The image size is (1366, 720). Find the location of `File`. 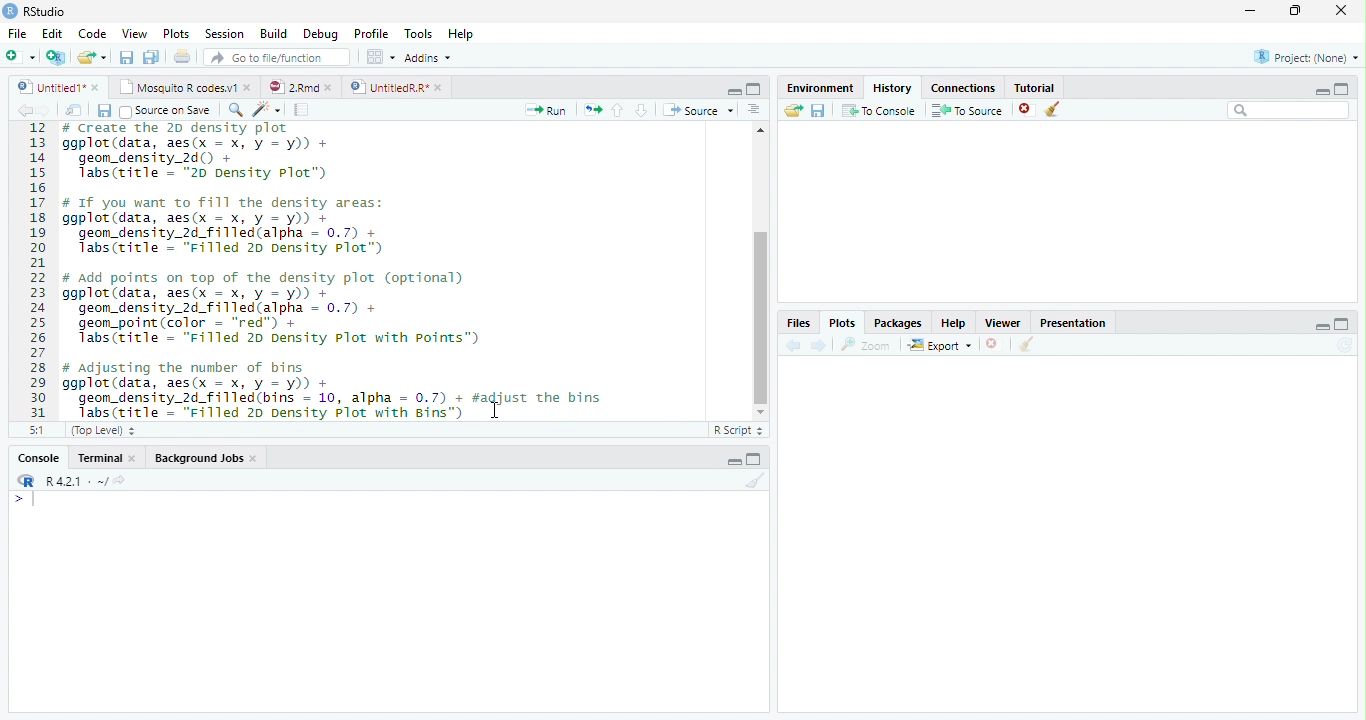

File is located at coordinates (17, 35).